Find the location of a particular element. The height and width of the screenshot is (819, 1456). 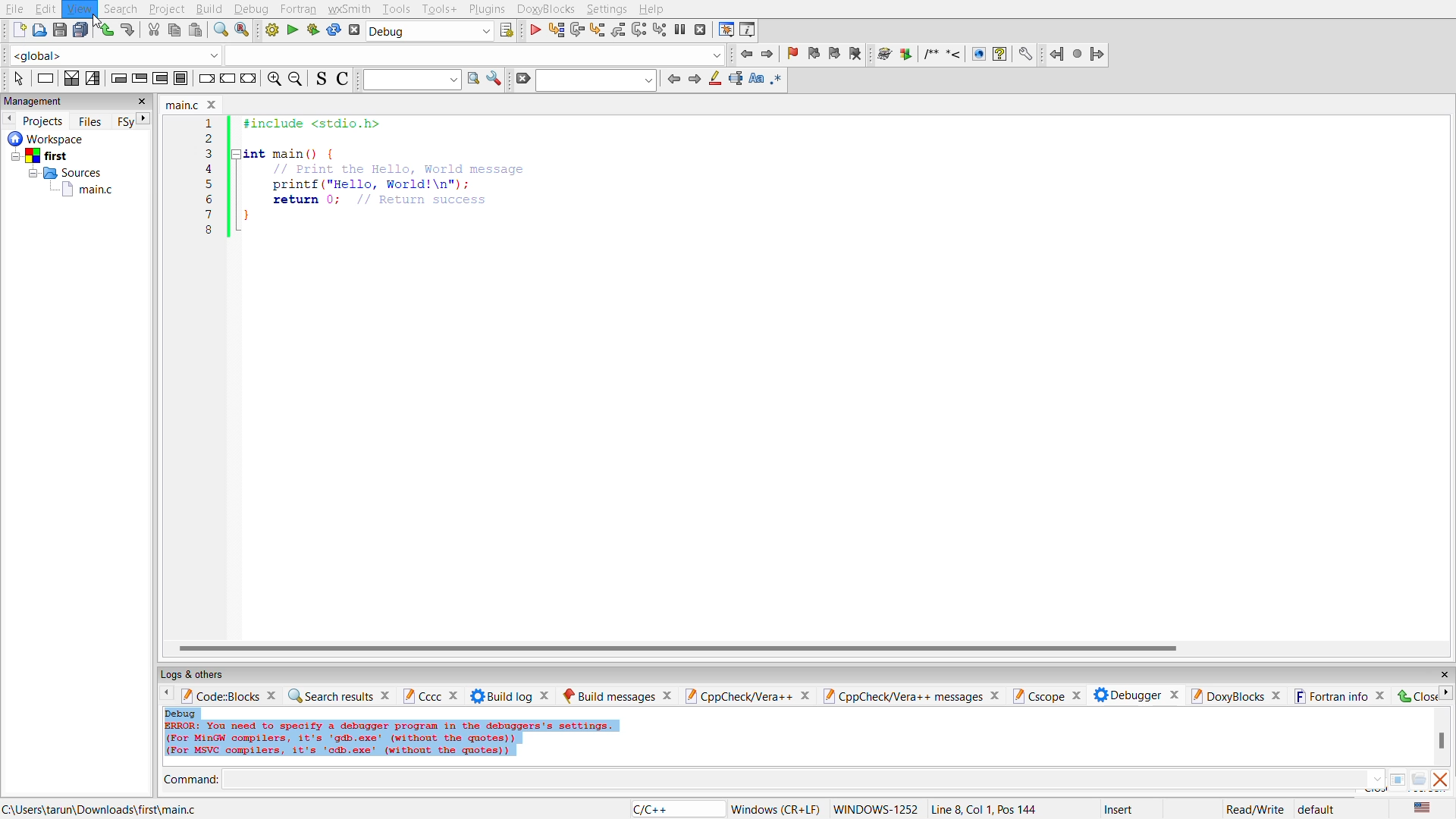

code completion compiler is located at coordinates (361, 55).